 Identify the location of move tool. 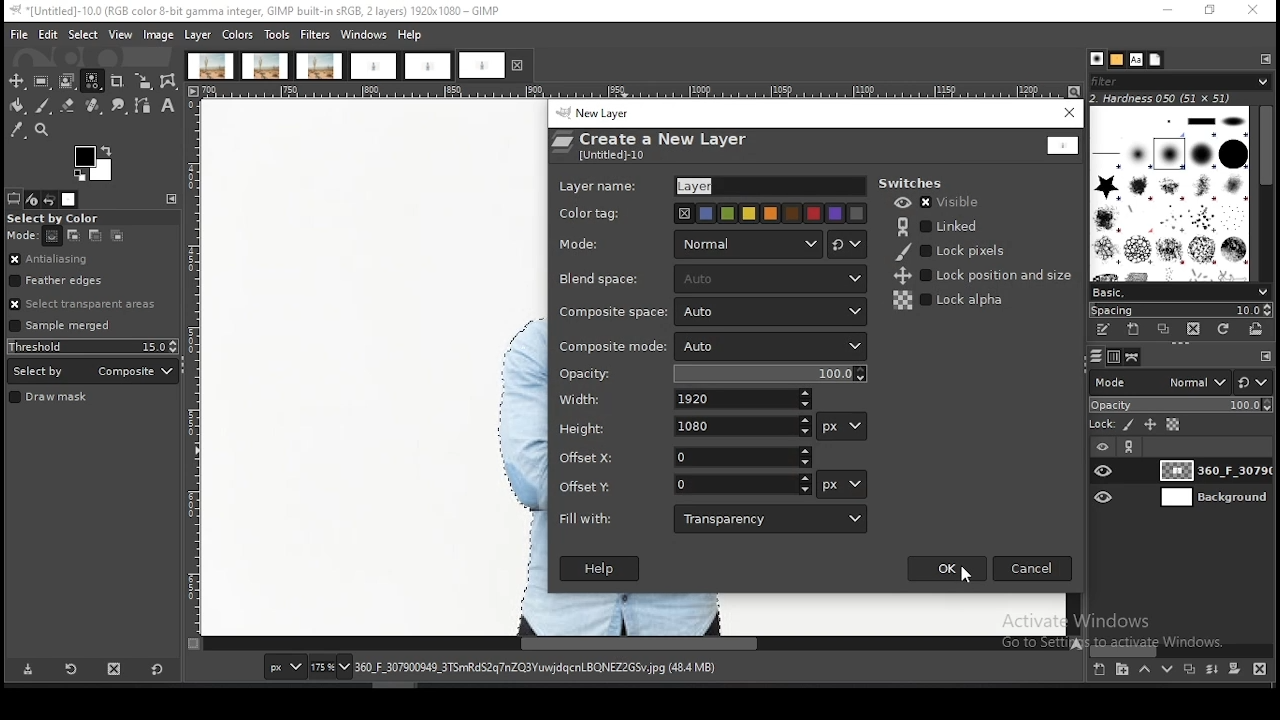
(16, 81).